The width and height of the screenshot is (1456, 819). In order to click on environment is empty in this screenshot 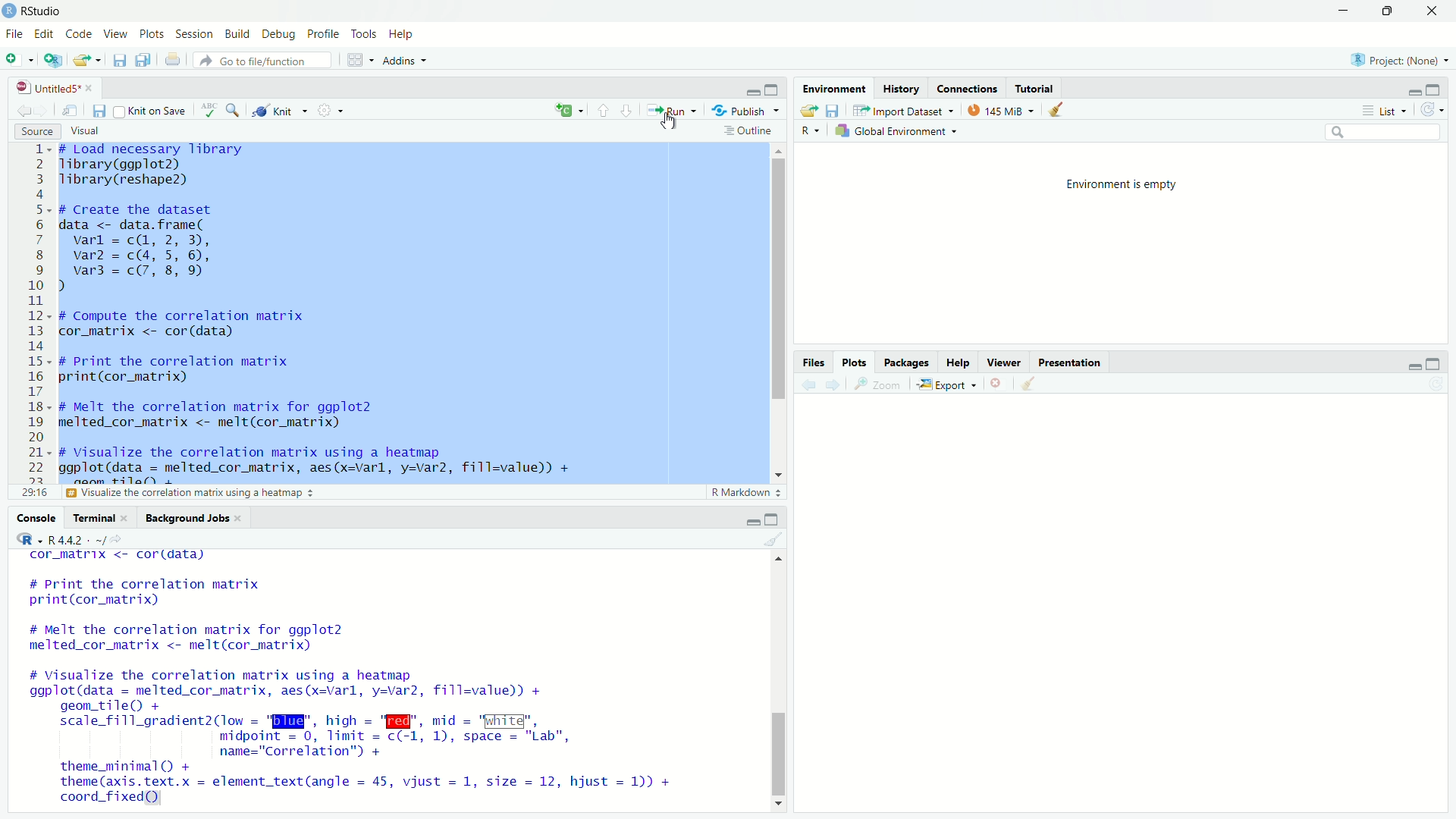, I will do `click(1125, 186)`.